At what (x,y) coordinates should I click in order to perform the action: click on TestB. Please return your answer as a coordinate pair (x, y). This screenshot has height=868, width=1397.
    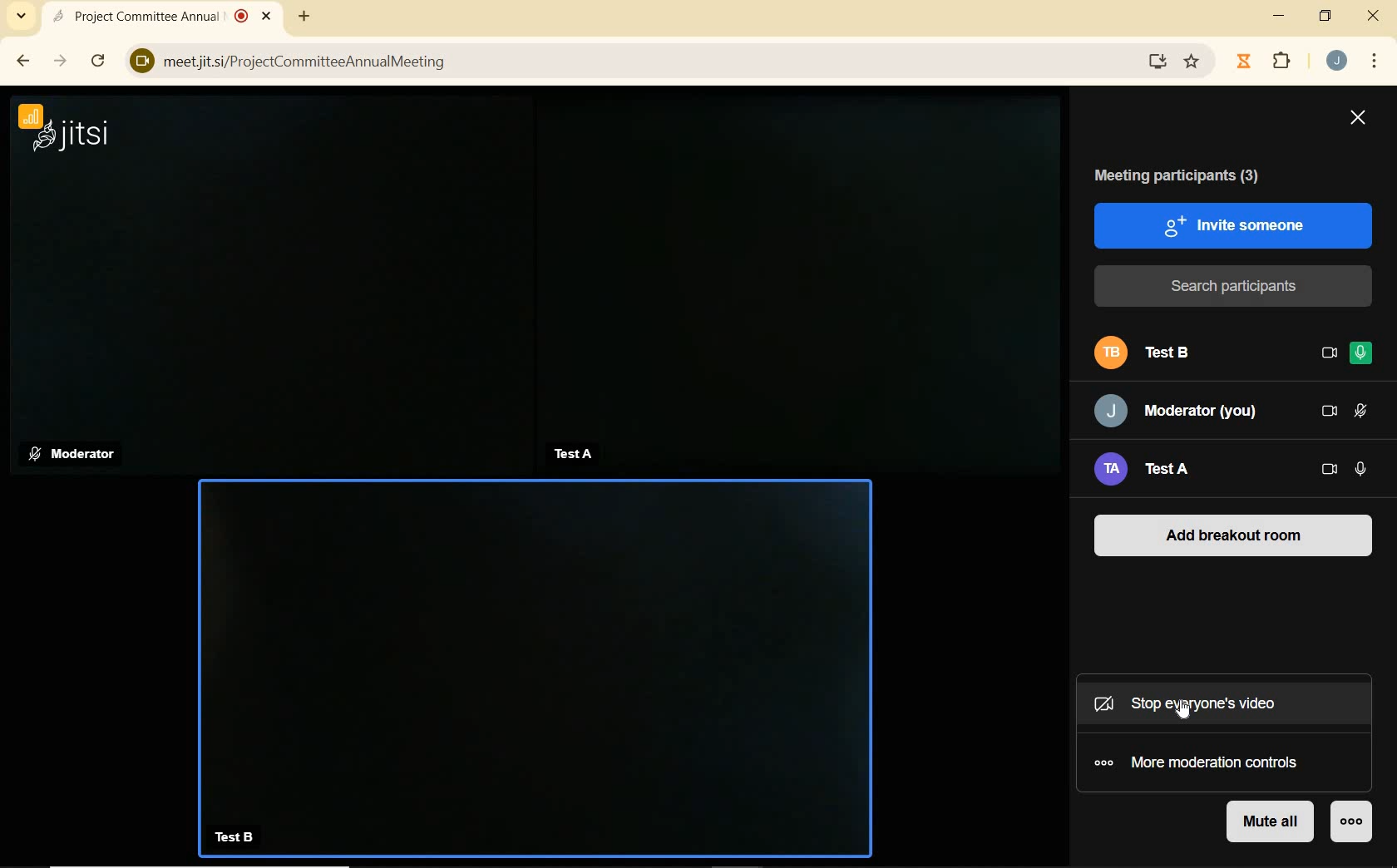
    Looking at the image, I should click on (240, 837).